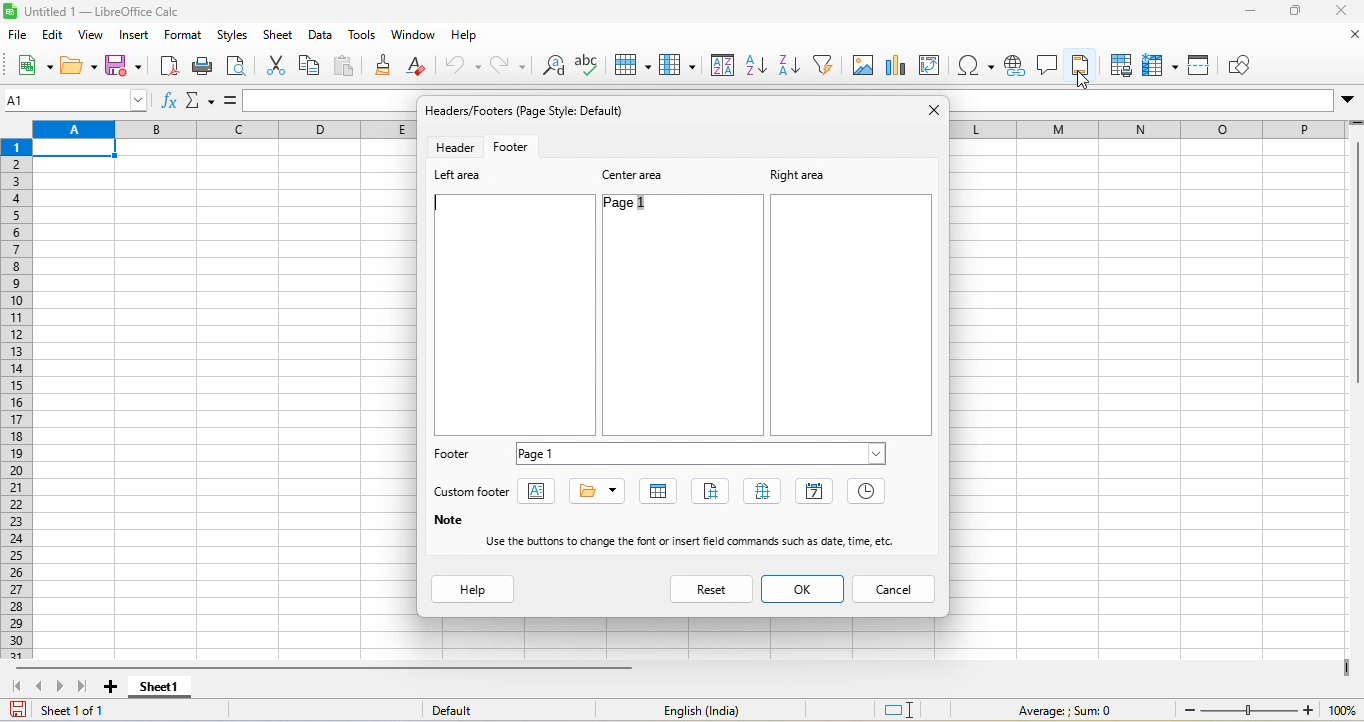 Image resolution: width=1364 pixels, height=722 pixels. Describe the element at coordinates (1264, 711) in the screenshot. I see `zoom` at that location.